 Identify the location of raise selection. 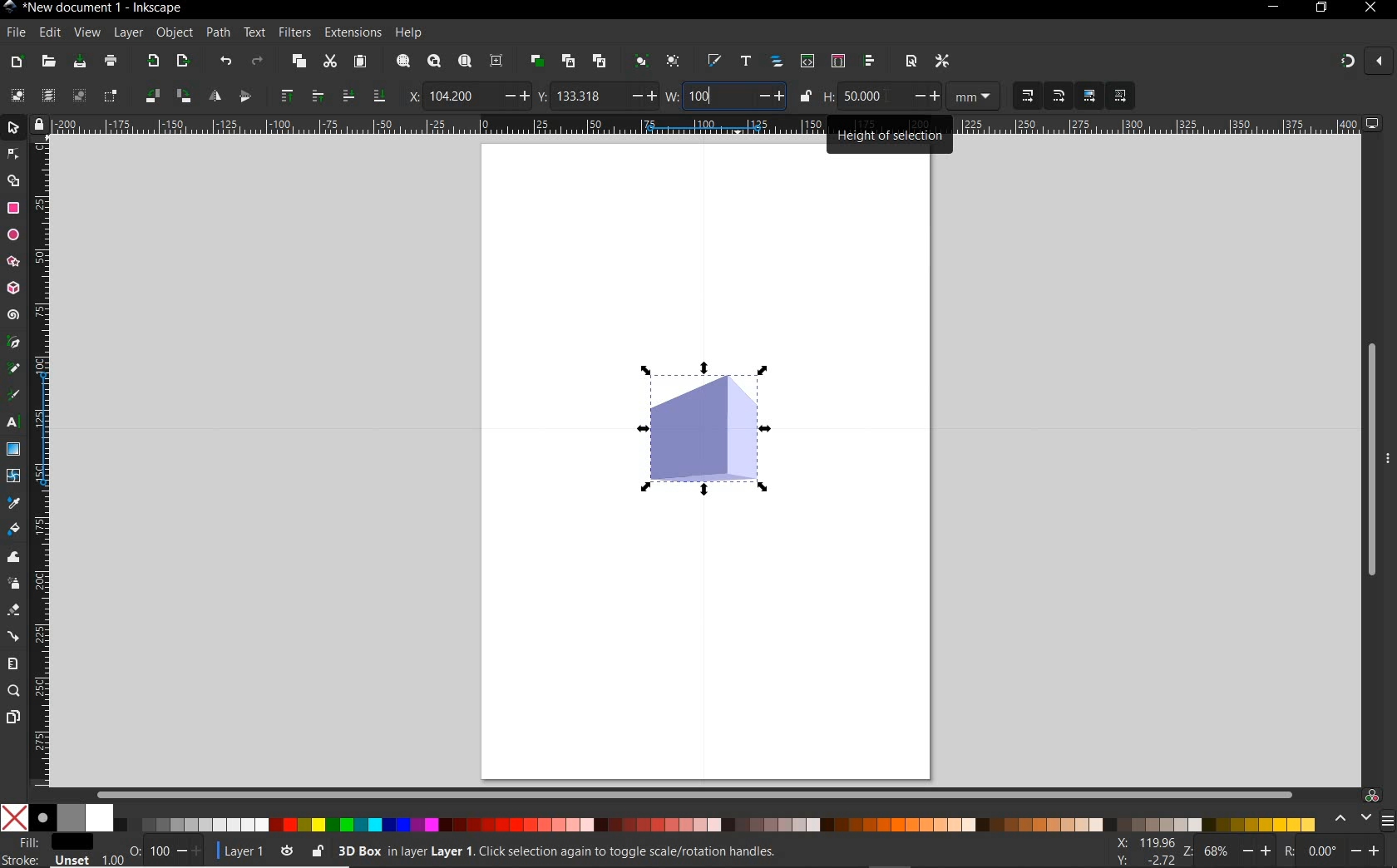
(286, 97).